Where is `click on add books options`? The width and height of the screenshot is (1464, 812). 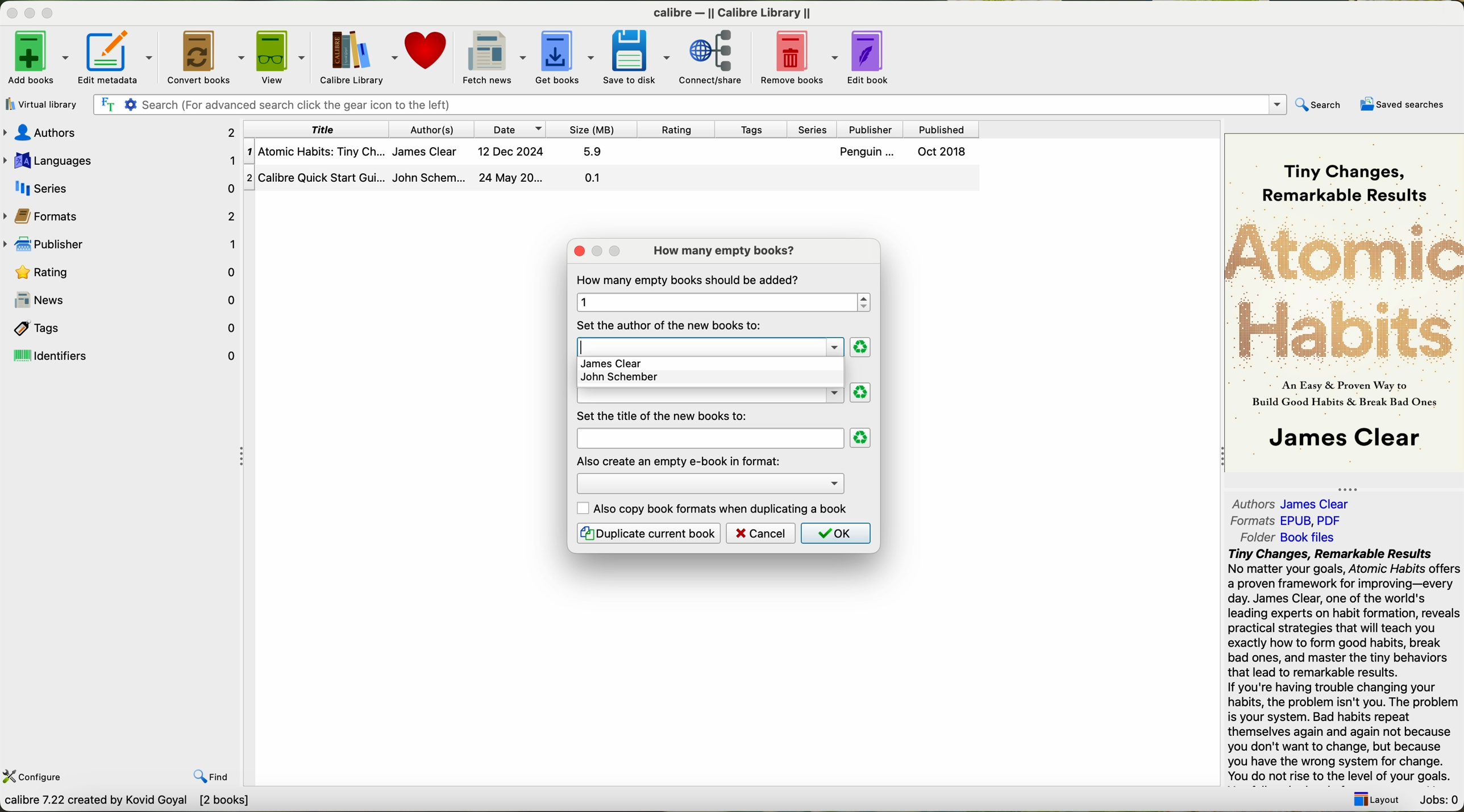 click on add books options is located at coordinates (38, 57).